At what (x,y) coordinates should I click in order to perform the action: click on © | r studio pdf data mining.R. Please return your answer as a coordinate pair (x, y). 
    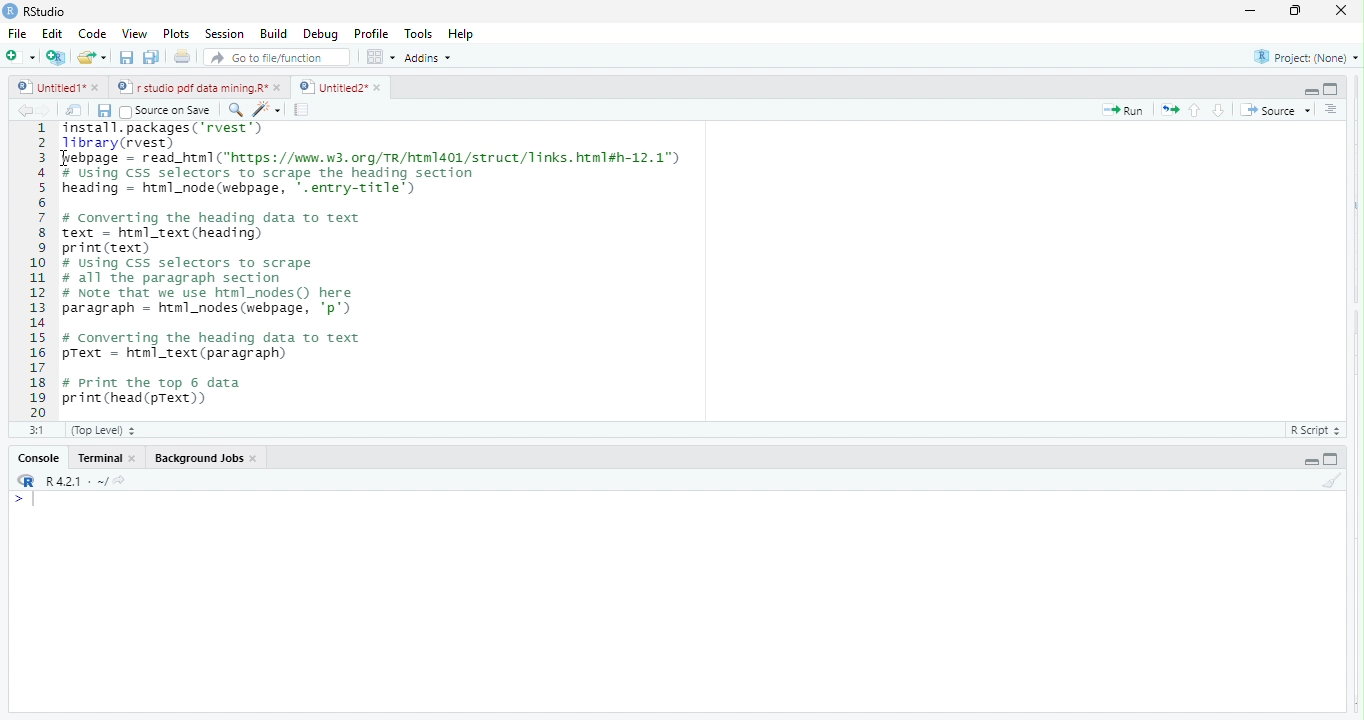
    Looking at the image, I should click on (194, 88).